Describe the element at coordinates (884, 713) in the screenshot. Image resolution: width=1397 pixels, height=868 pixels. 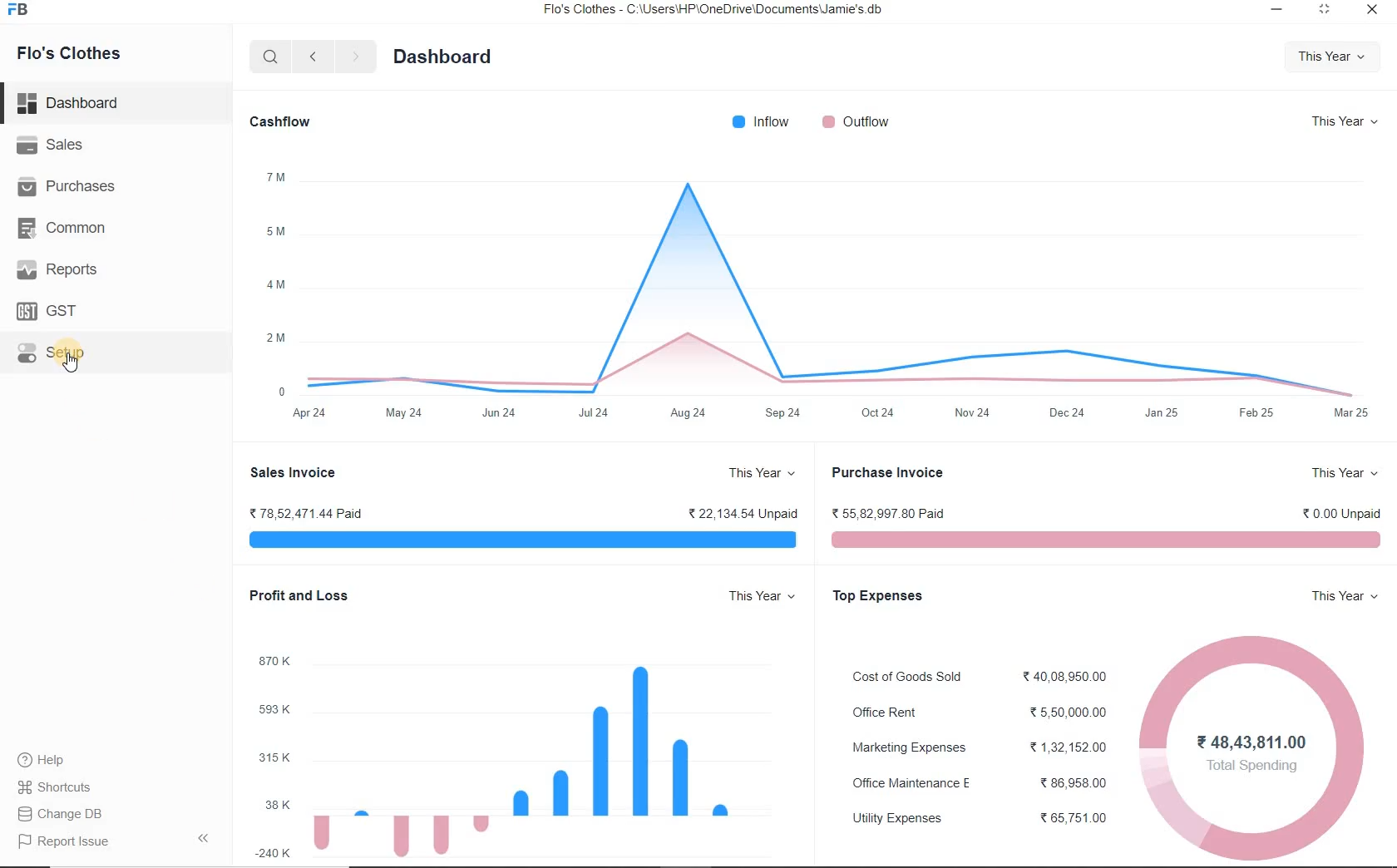
I see `office rent` at that location.